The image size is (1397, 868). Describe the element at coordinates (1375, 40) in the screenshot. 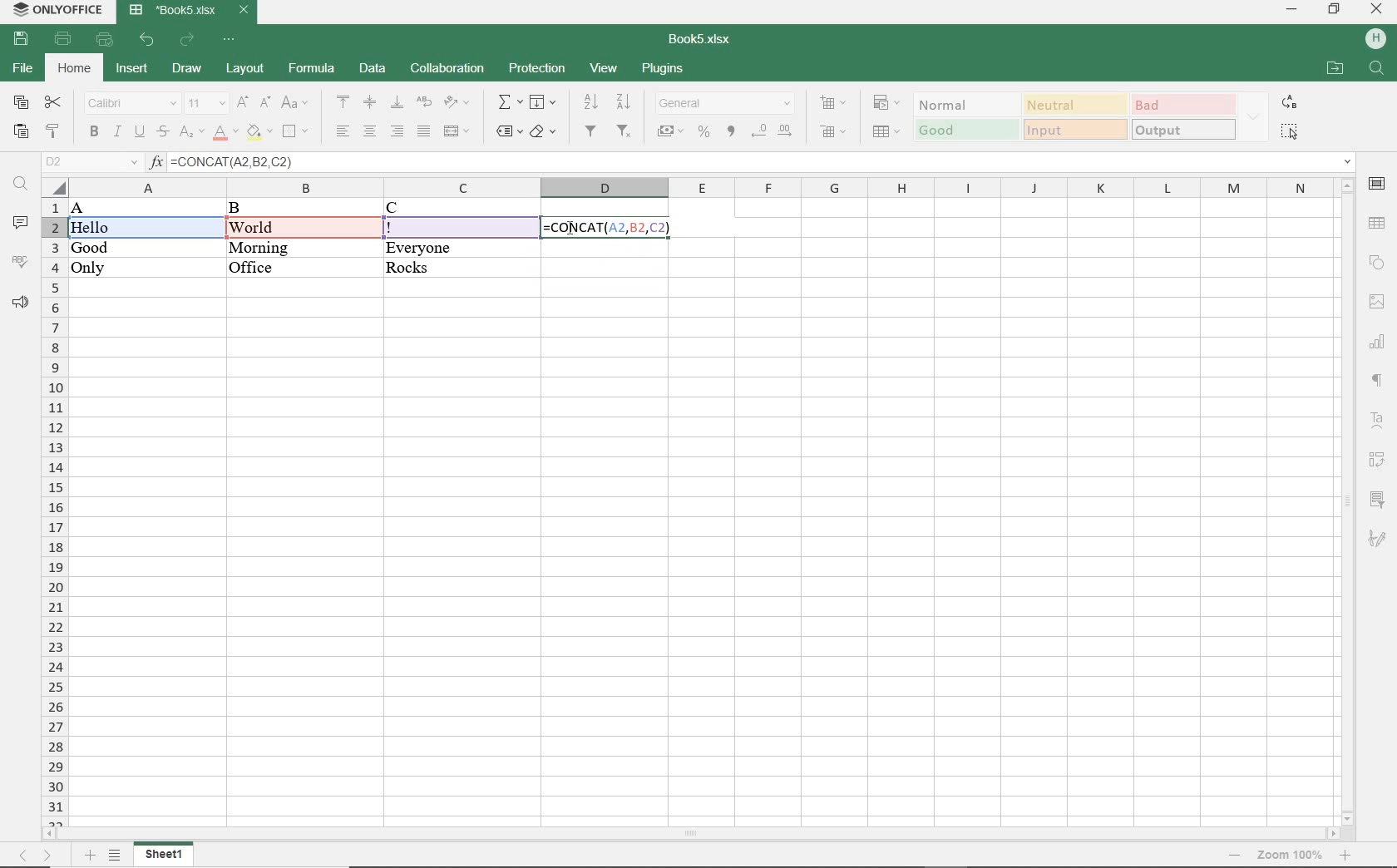

I see `HP` at that location.